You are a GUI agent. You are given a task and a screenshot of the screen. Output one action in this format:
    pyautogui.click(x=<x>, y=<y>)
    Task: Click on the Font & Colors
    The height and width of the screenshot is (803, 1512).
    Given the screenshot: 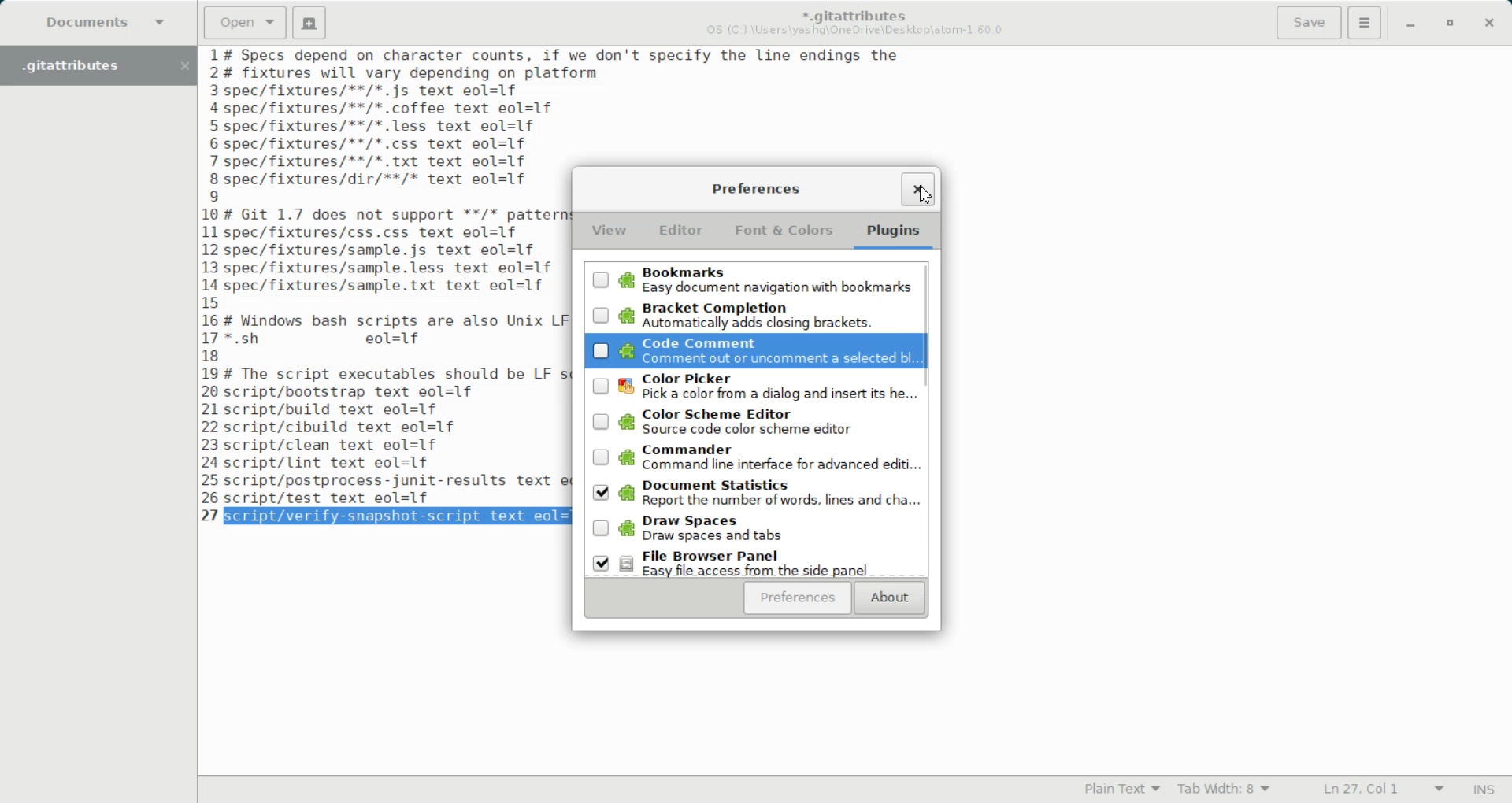 What is the action you would take?
    pyautogui.click(x=782, y=230)
    